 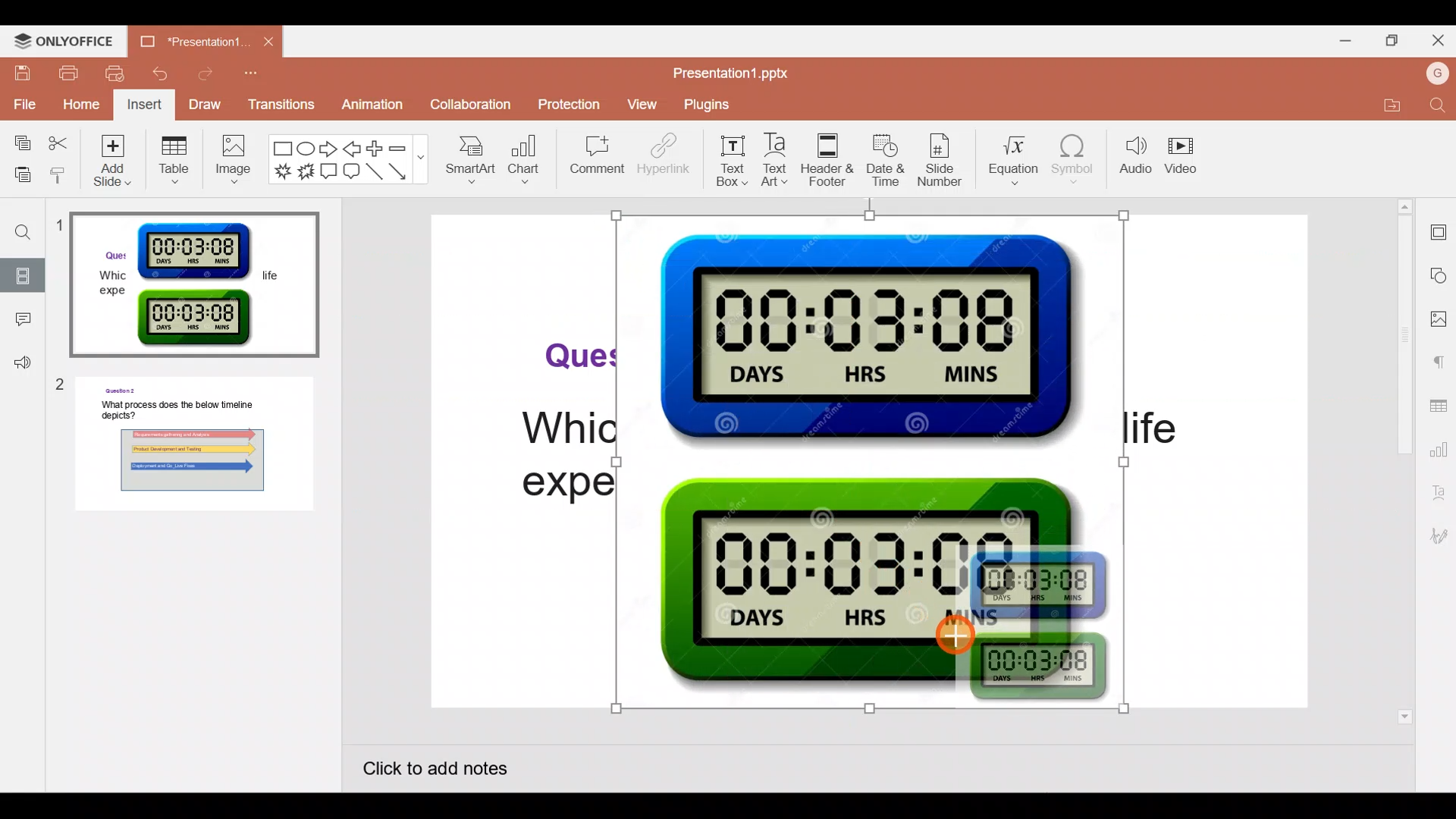 I want to click on Animation, so click(x=365, y=103).